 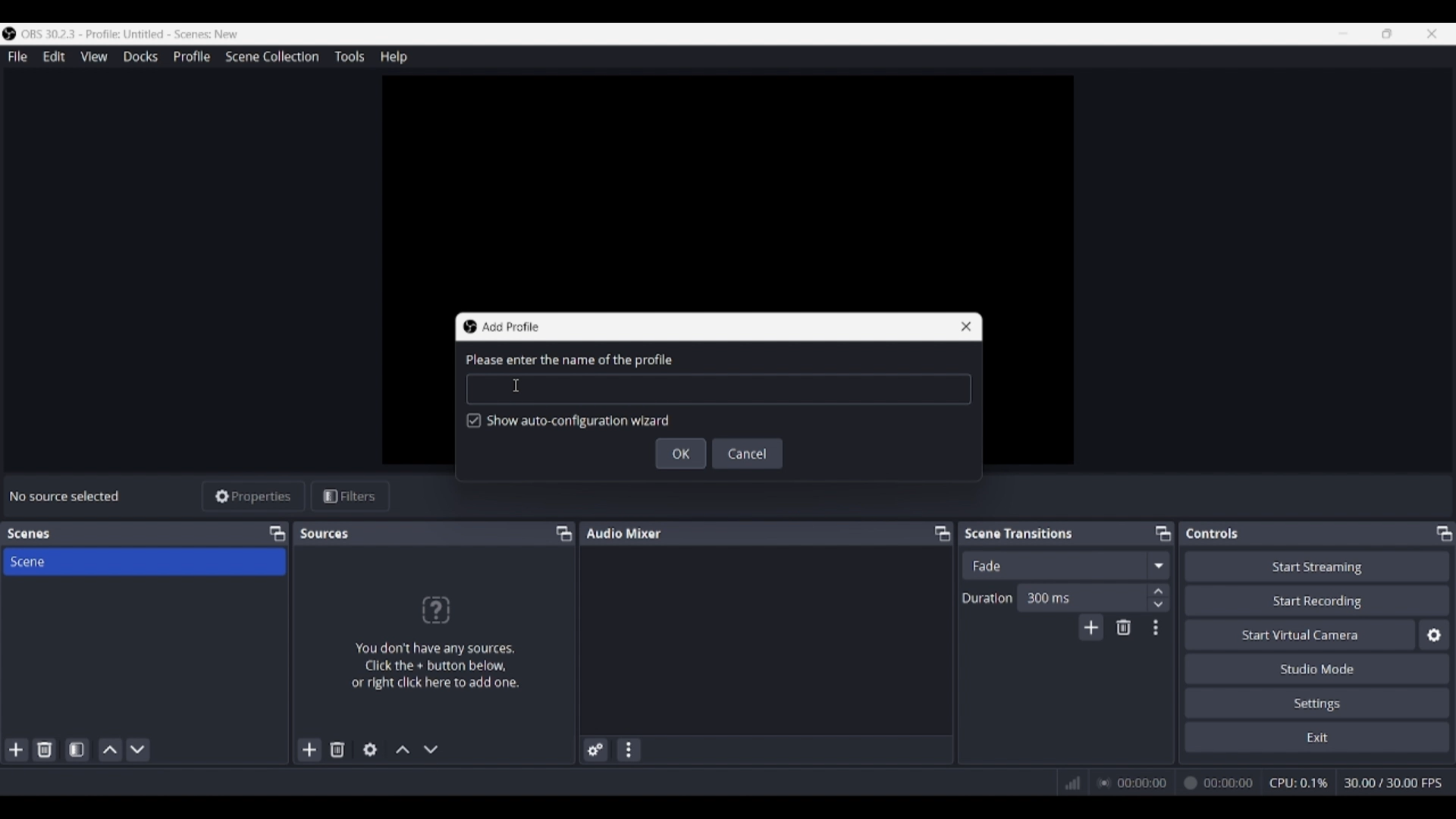 I want to click on Software logo, so click(x=9, y=33).